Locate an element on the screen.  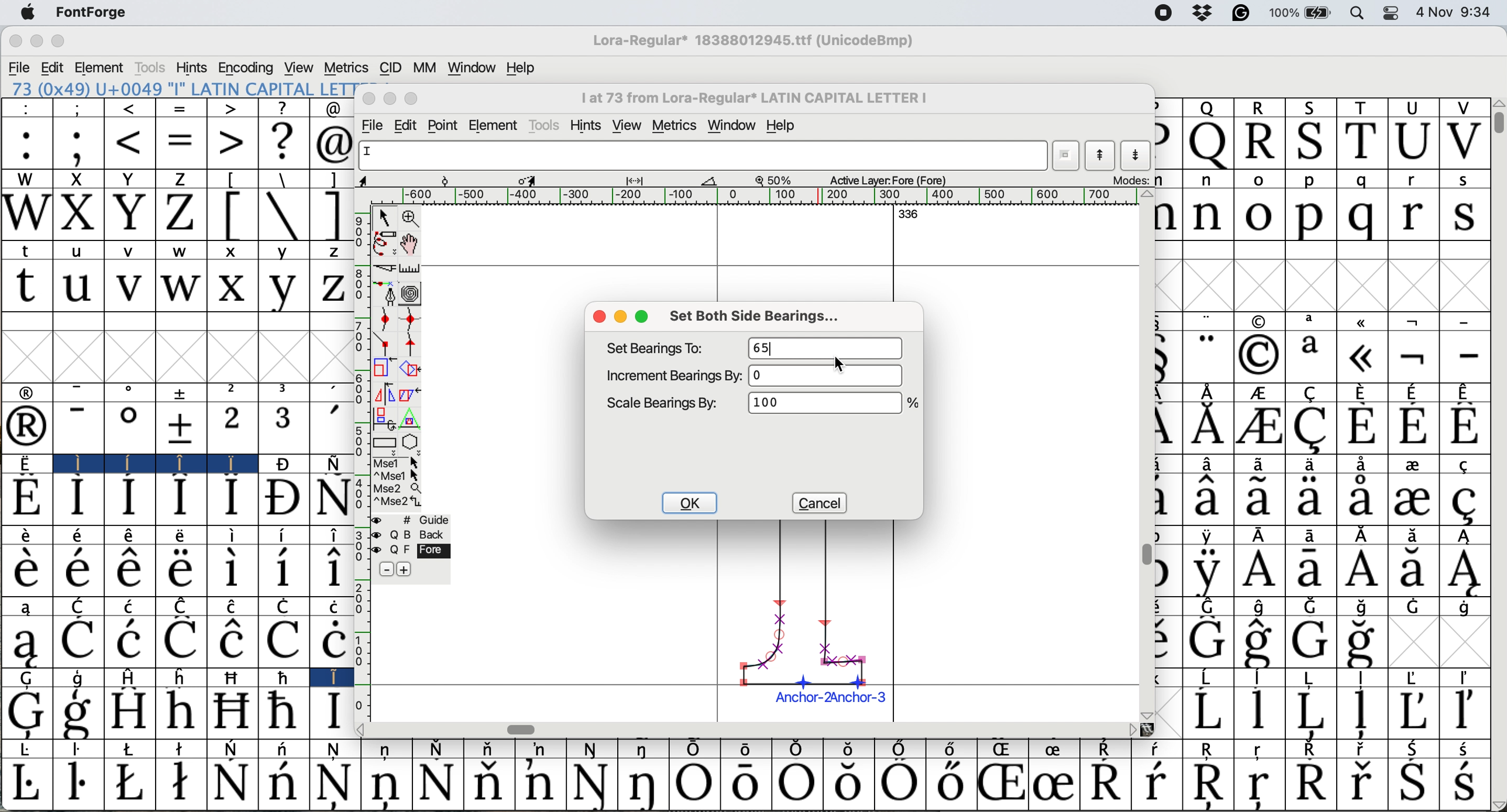
rotate the selection in 3d and project back to plane is located at coordinates (384, 417).